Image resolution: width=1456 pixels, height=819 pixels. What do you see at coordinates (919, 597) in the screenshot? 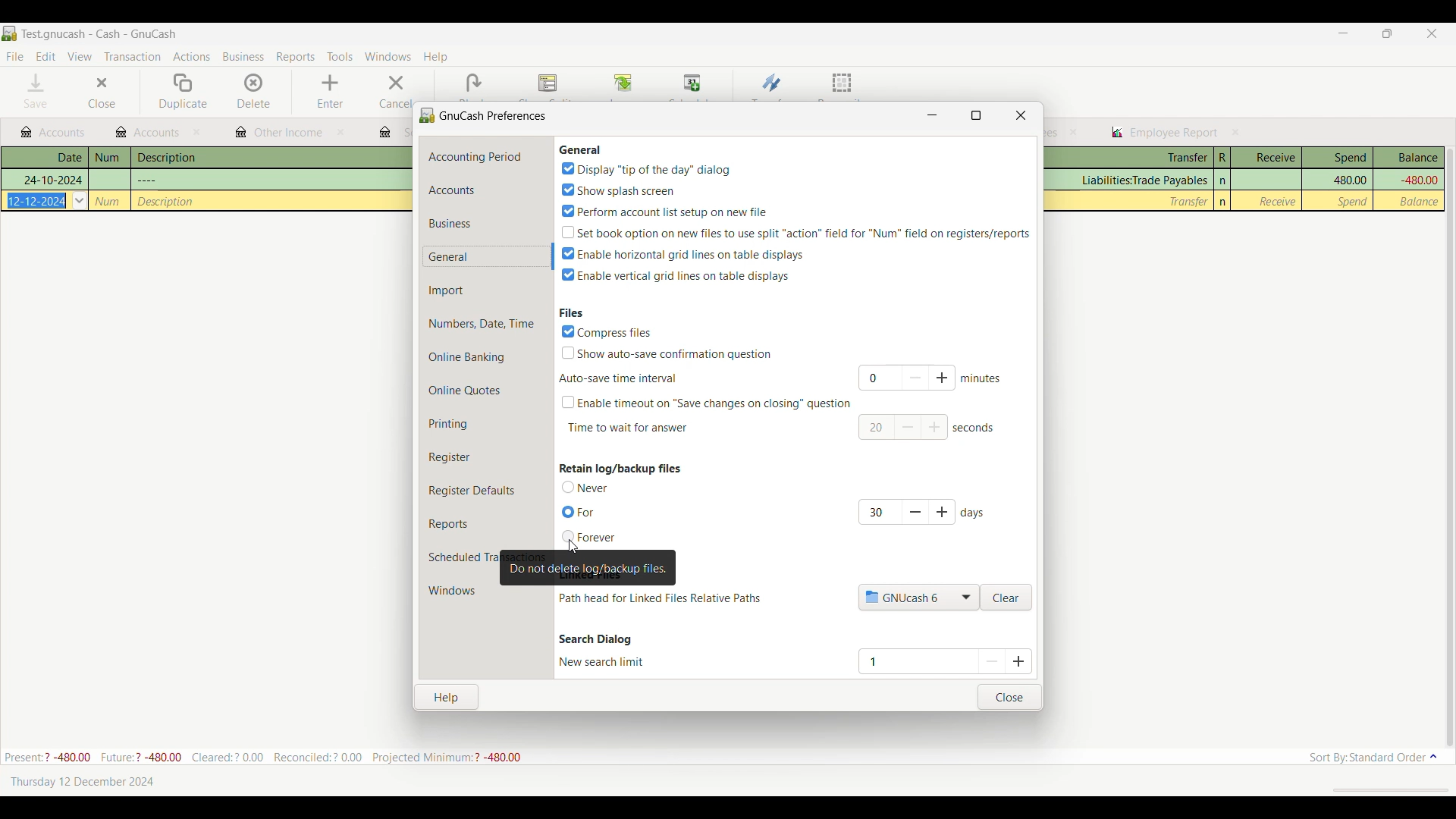
I see `Location options` at bounding box center [919, 597].